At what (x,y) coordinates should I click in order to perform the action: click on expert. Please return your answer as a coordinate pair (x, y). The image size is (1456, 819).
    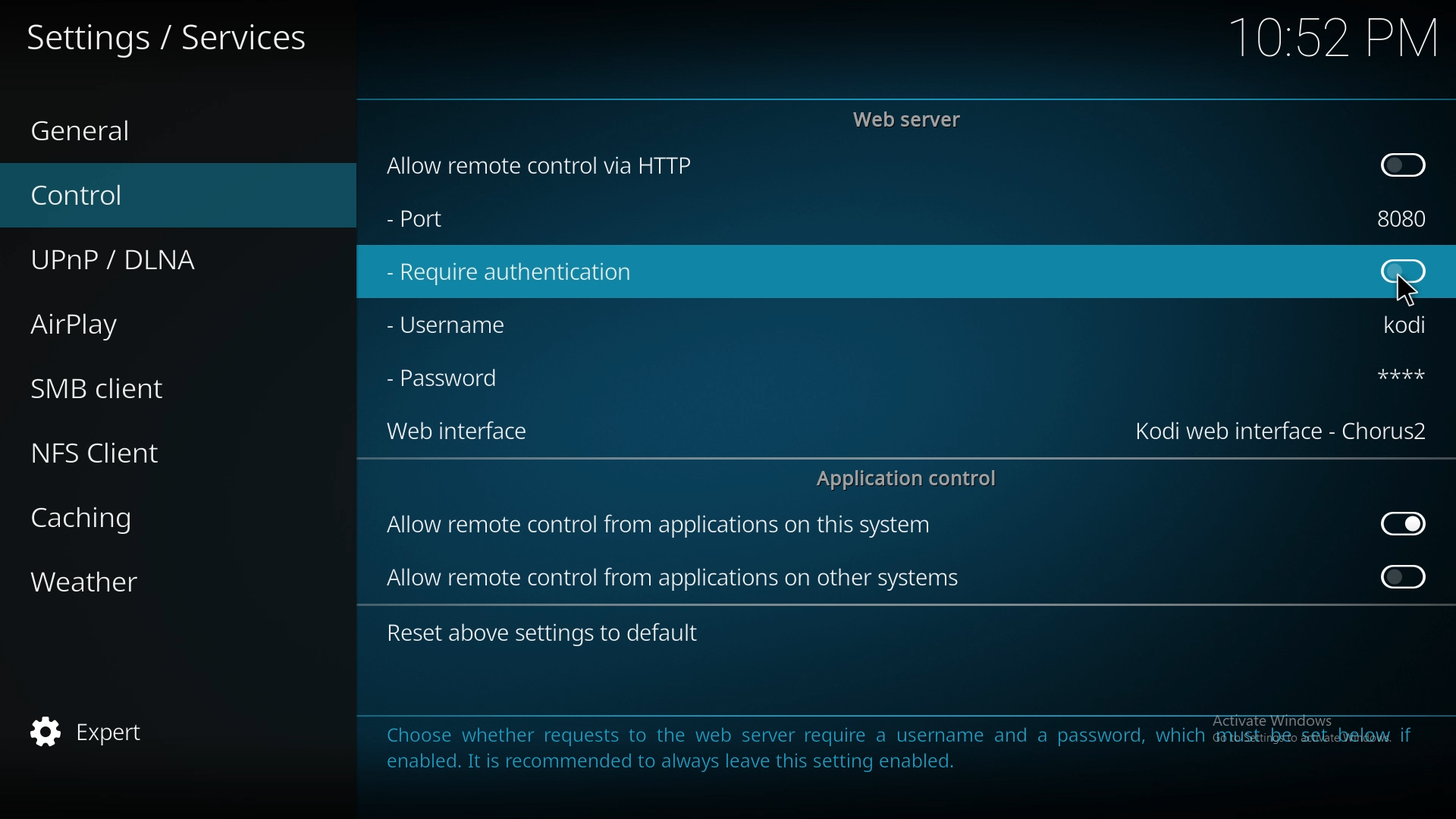
    Looking at the image, I should click on (155, 729).